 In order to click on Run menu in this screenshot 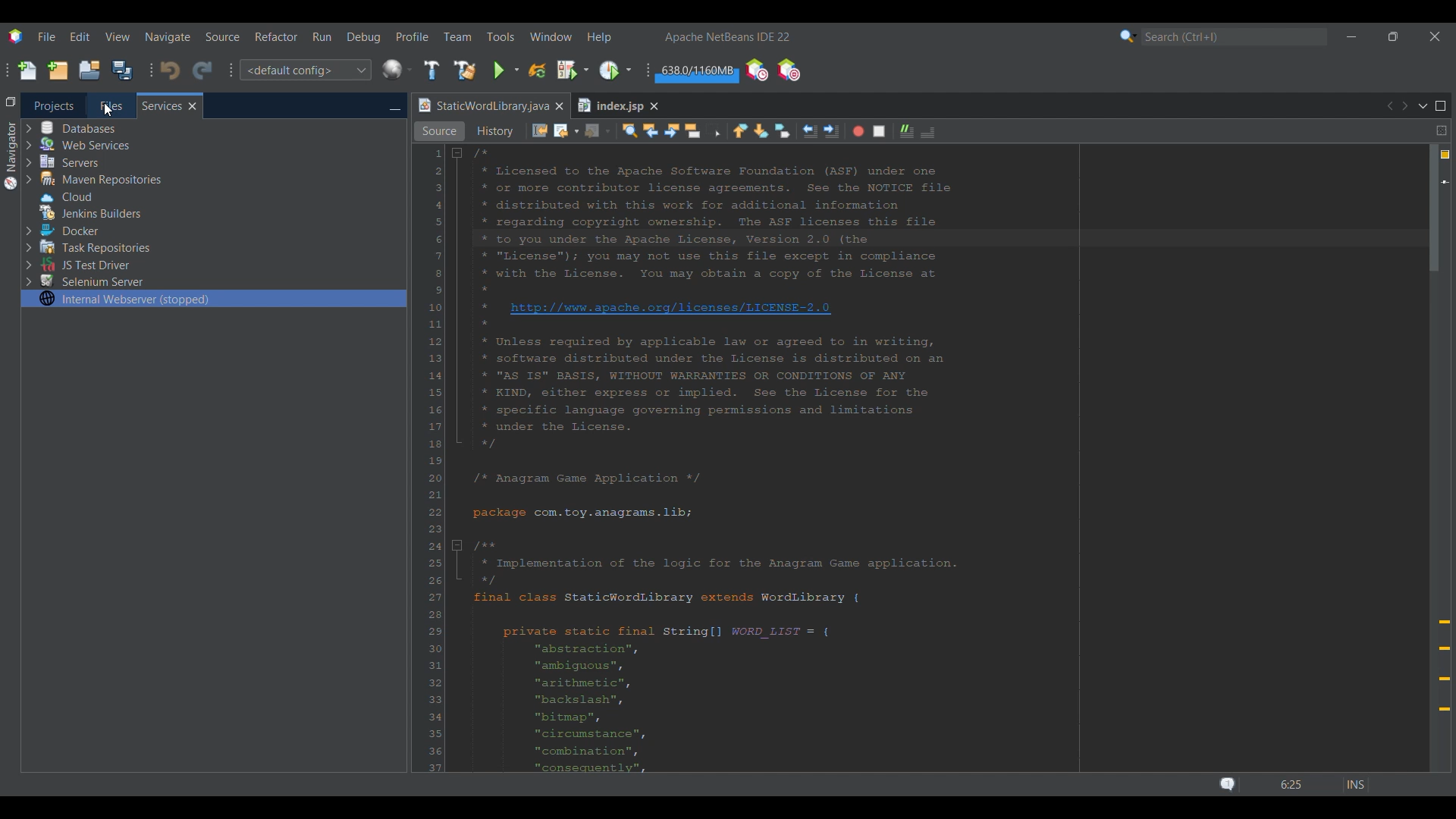, I will do `click(322, 36)`.